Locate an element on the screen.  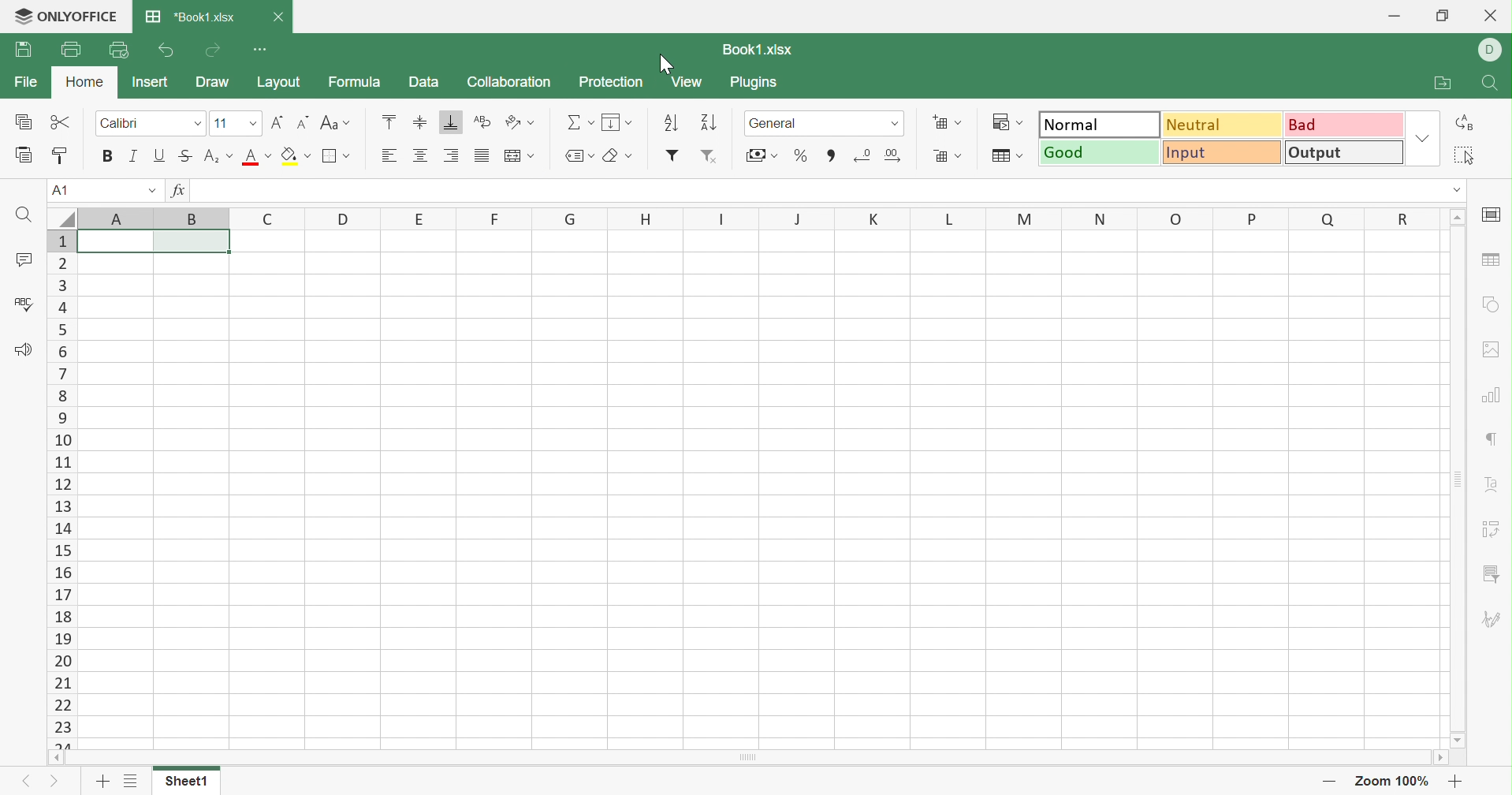
Align Middle is located at coordinates (424, 124).